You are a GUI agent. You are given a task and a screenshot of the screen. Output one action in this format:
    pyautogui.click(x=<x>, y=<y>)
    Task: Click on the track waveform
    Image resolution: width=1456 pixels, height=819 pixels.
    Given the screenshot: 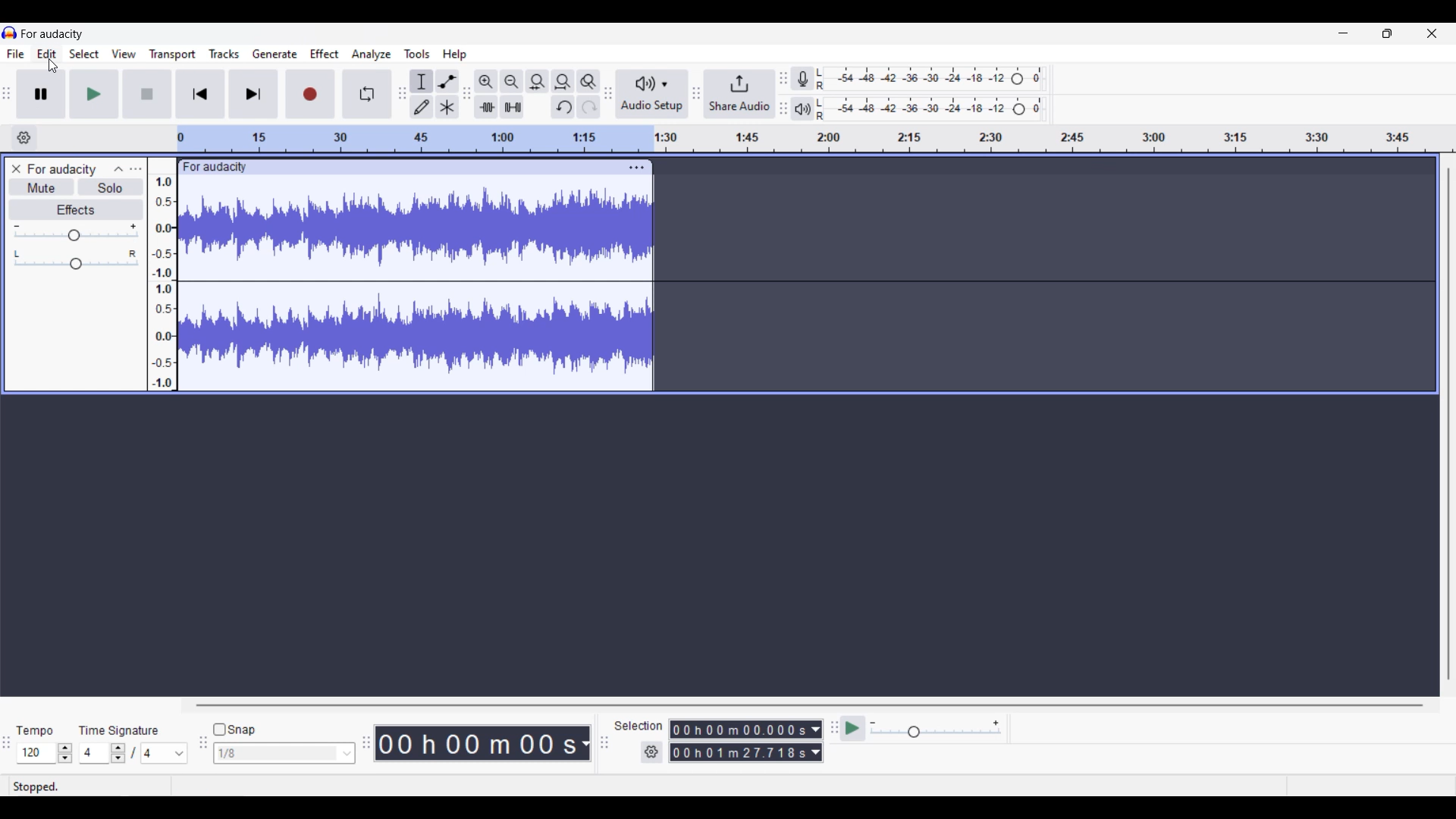 What is the action you would take?
    pyautogui.click(x=415, y=287)
    